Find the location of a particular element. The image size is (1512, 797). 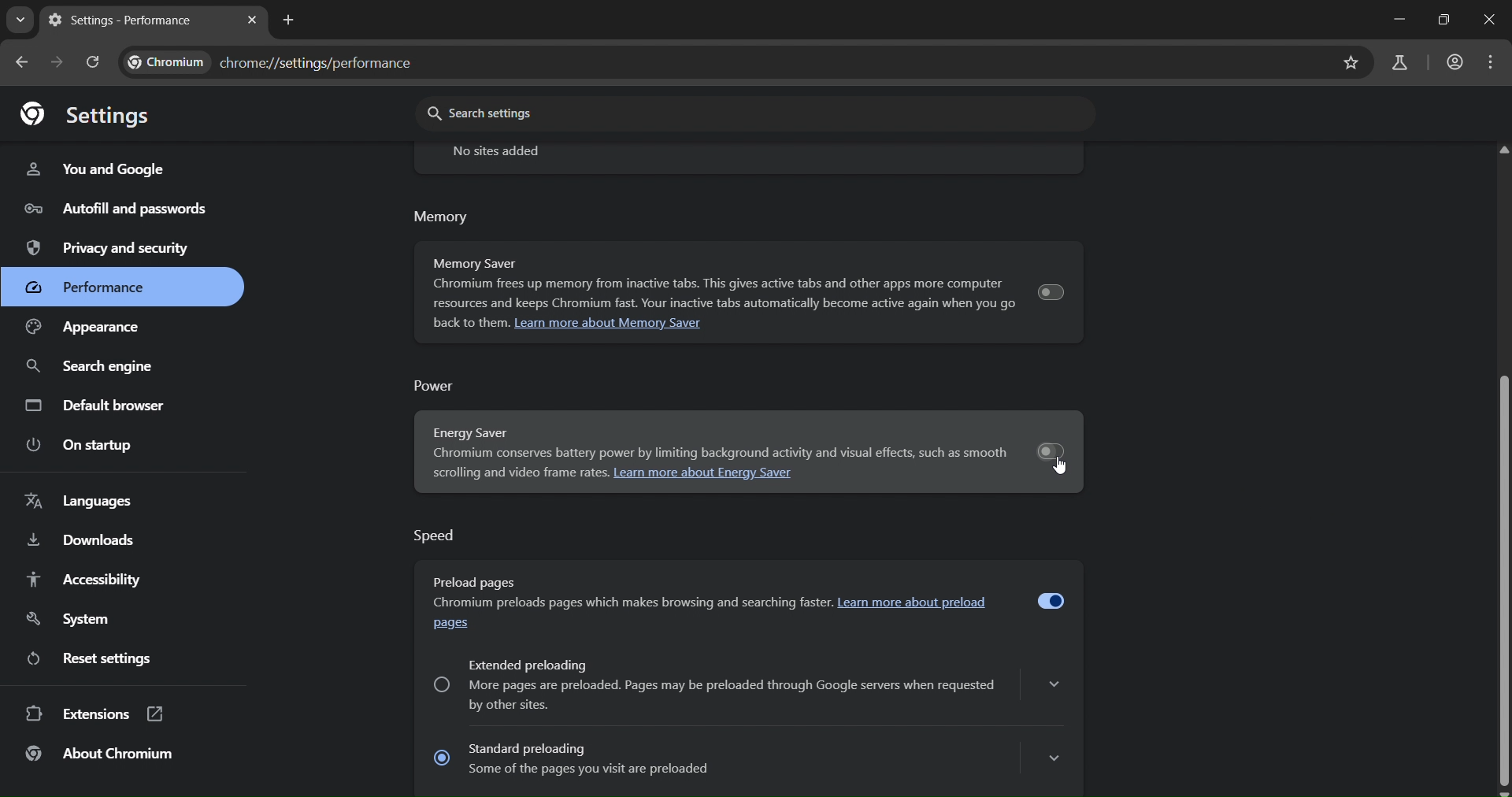

learn mroe about preload is located at coordinates (915, 601).